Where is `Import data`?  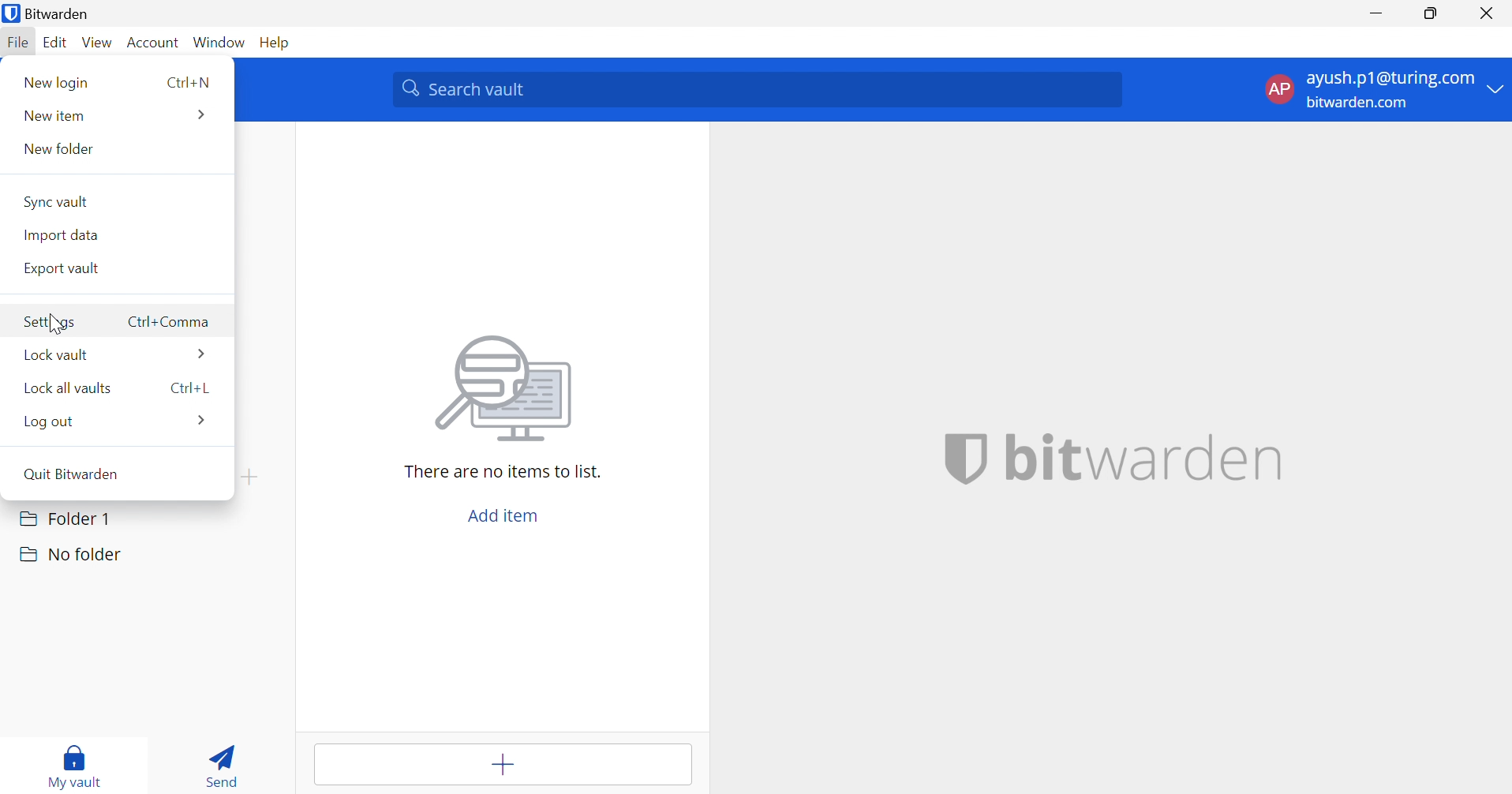 Import data is located at coordinates (65, 234).